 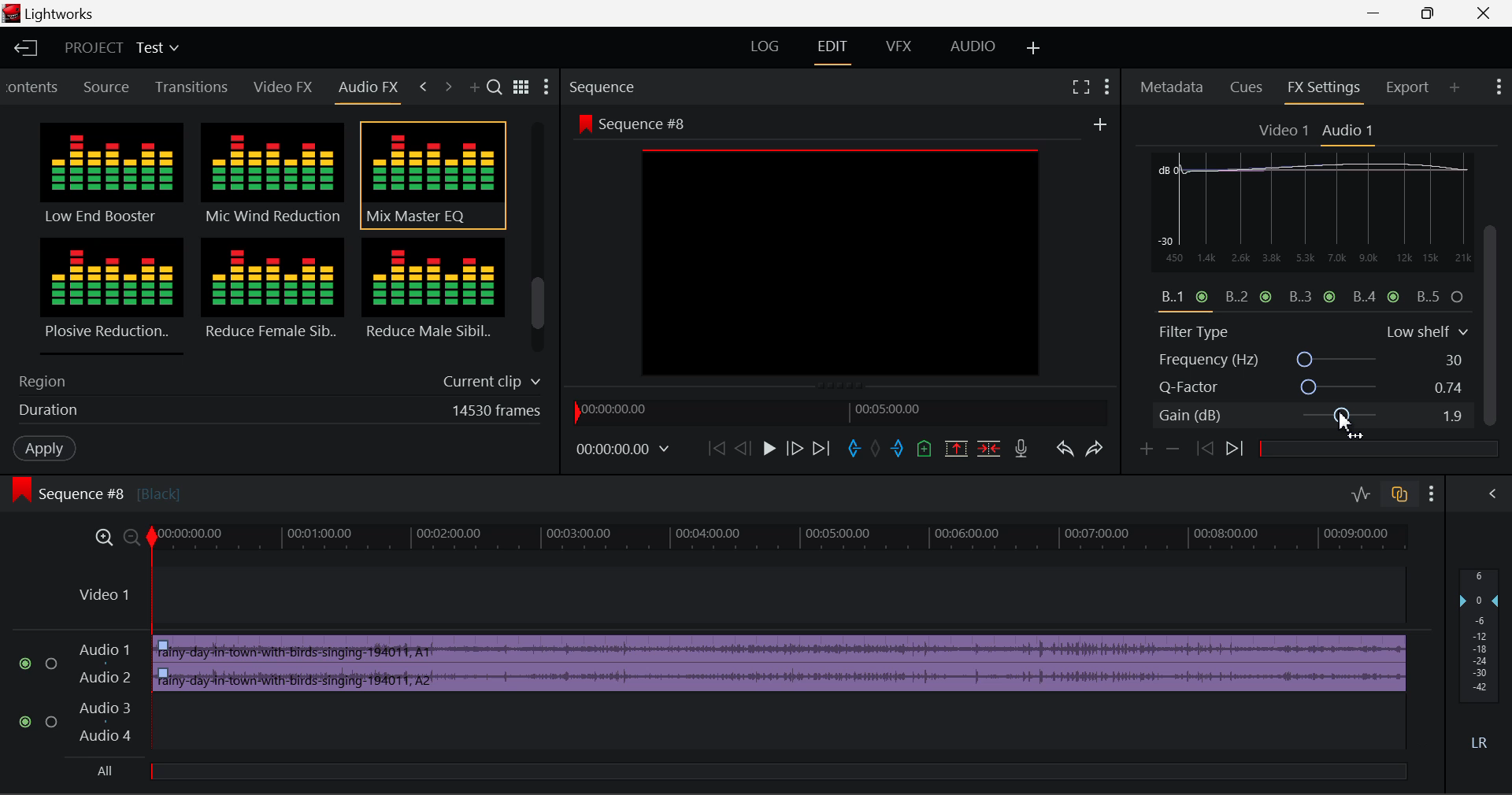 What do you see at coordinates (1482, 663) in the screenshot?
I see `Decibel Level` at bounding box center [1482, 663].